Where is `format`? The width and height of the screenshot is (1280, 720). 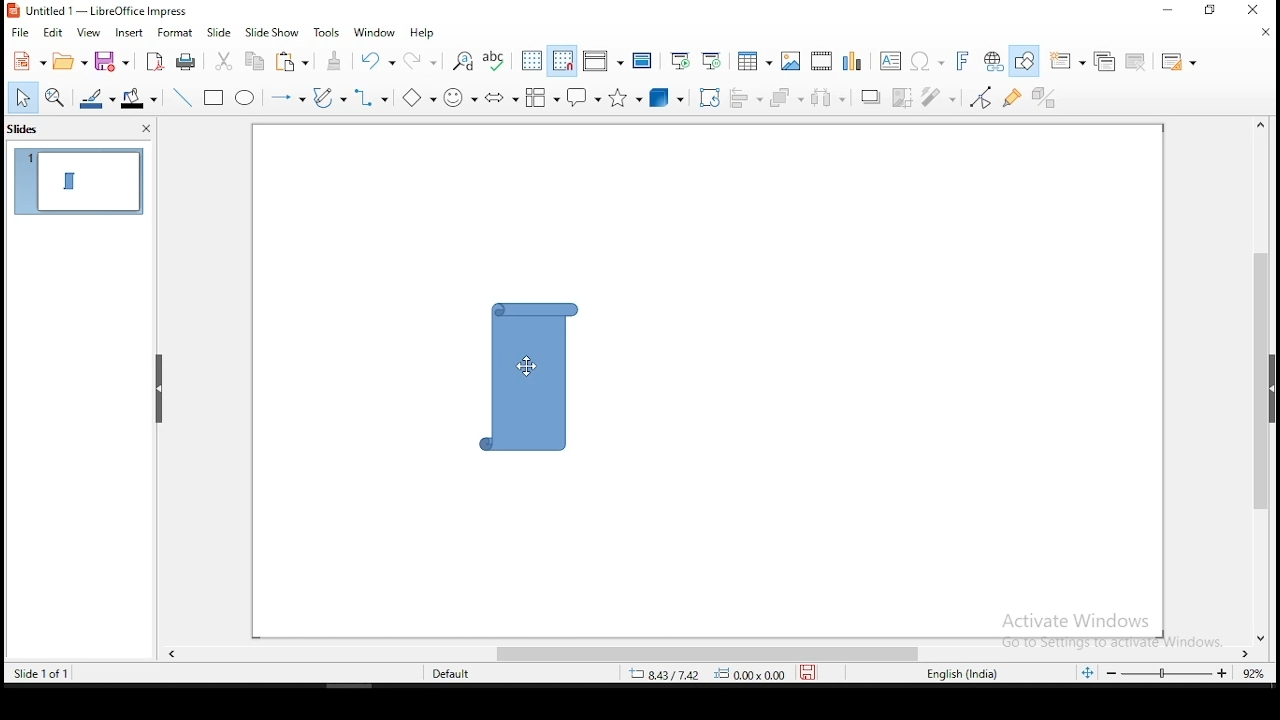 format is located at coordinates (179, 34).